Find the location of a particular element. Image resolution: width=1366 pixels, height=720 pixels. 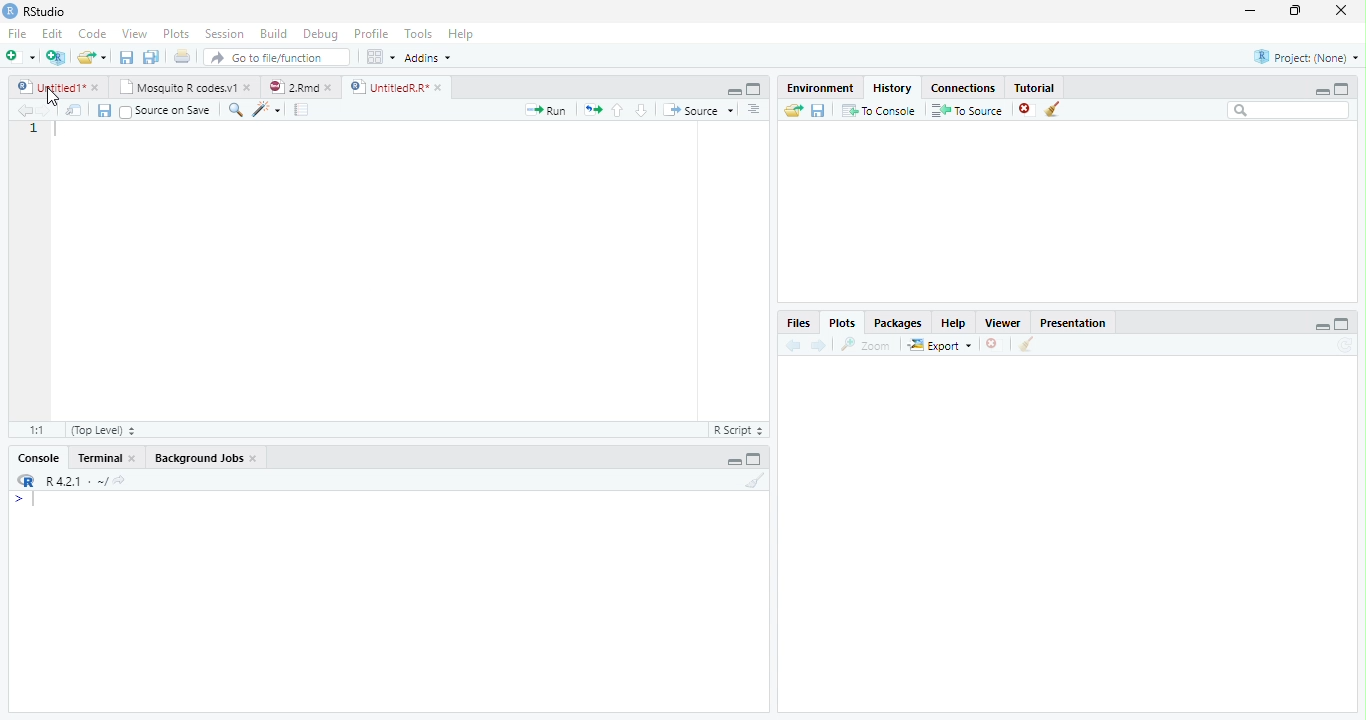

maximize is located at coordinates (1297, 10).